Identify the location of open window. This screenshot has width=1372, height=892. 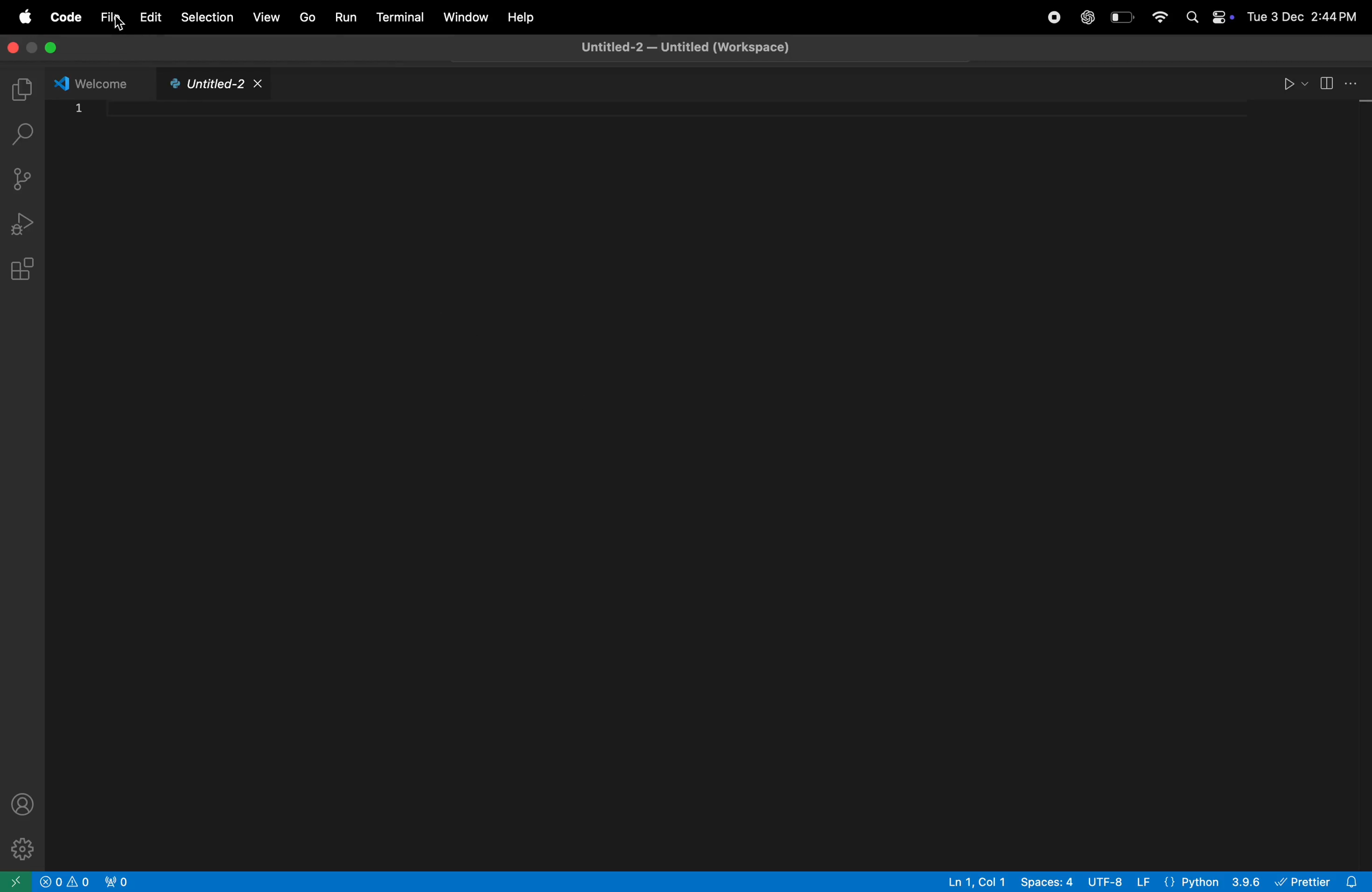
(14, 882).